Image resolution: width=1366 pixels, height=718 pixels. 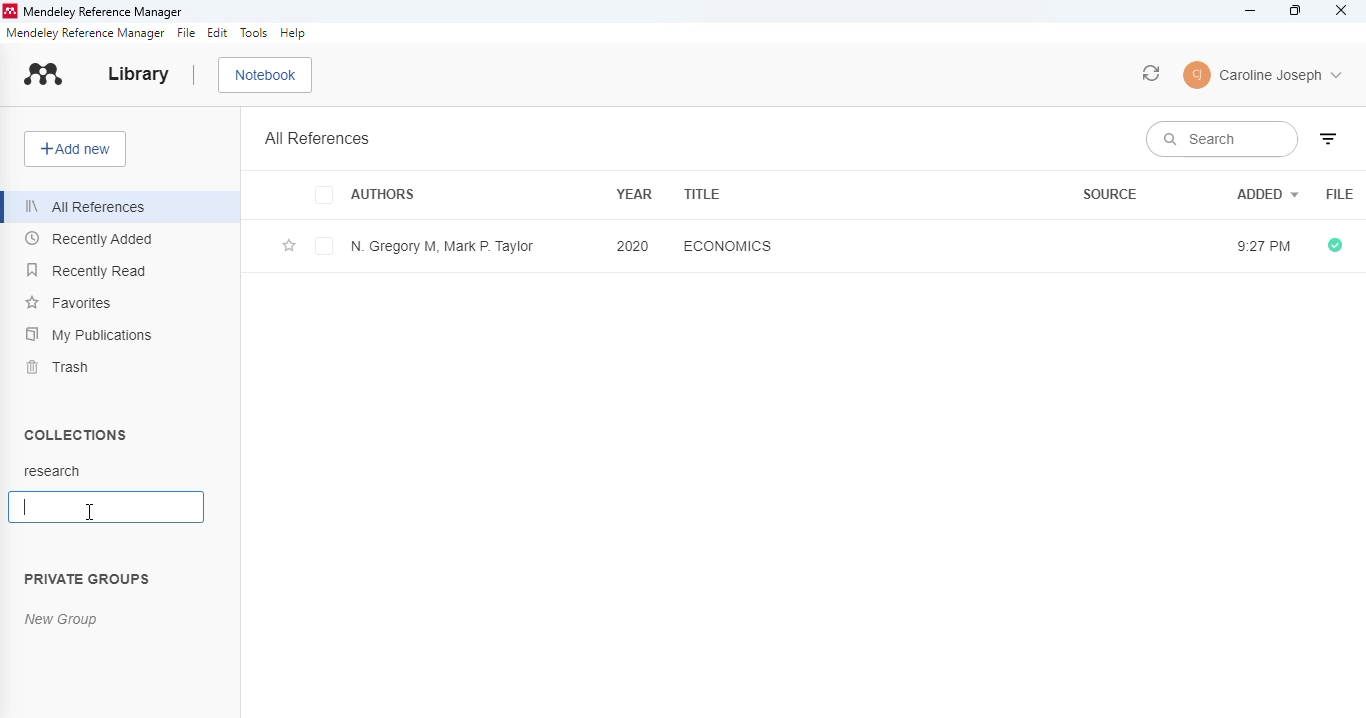 I want to click on close, so click(x=1343, y=11).